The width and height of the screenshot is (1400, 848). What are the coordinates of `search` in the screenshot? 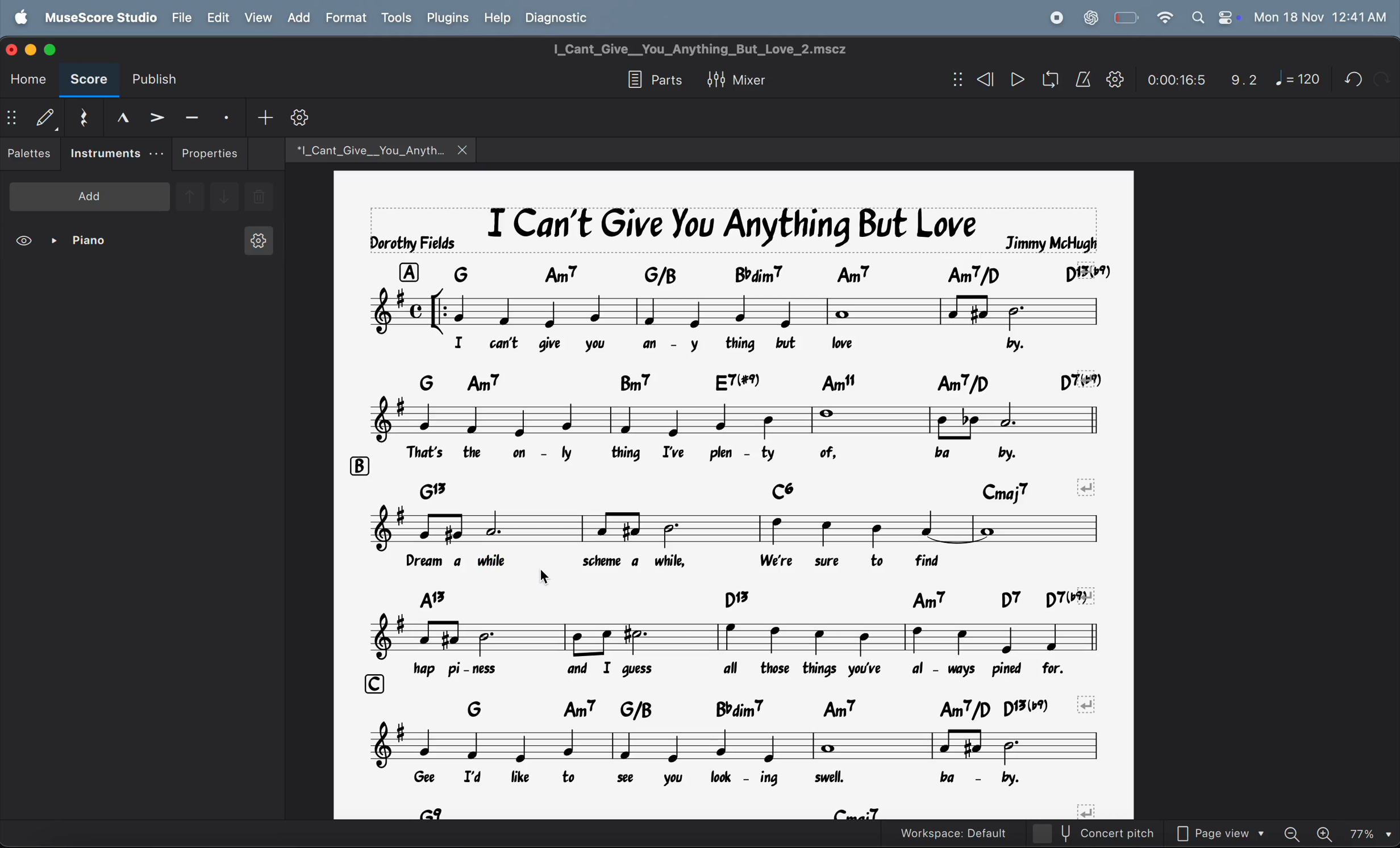 It's located at (1194, 17).